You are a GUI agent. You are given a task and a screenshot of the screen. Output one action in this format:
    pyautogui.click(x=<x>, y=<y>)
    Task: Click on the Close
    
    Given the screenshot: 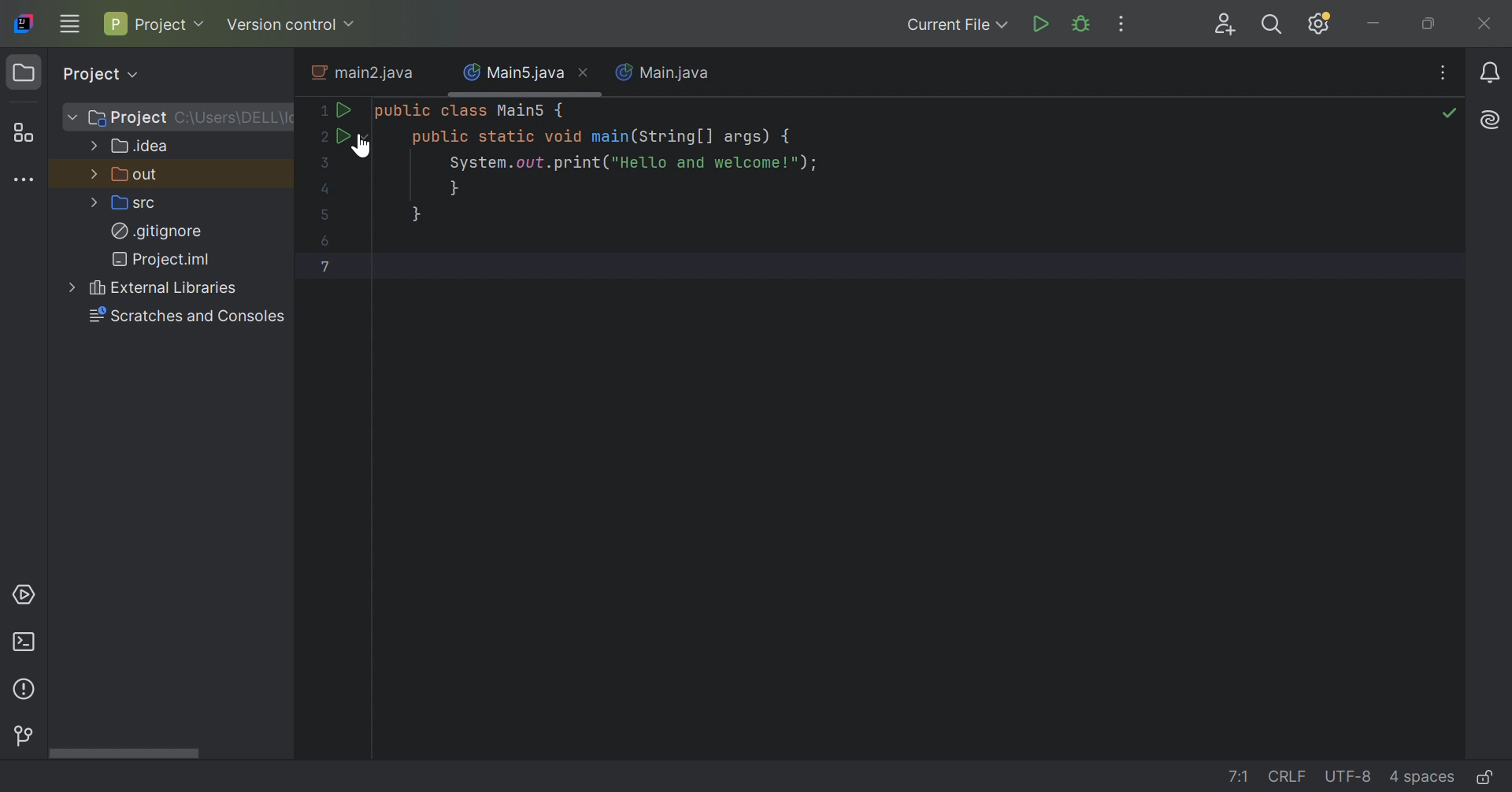 What is the action you would take?
    pyautogui.click(x=586, y=72)
    